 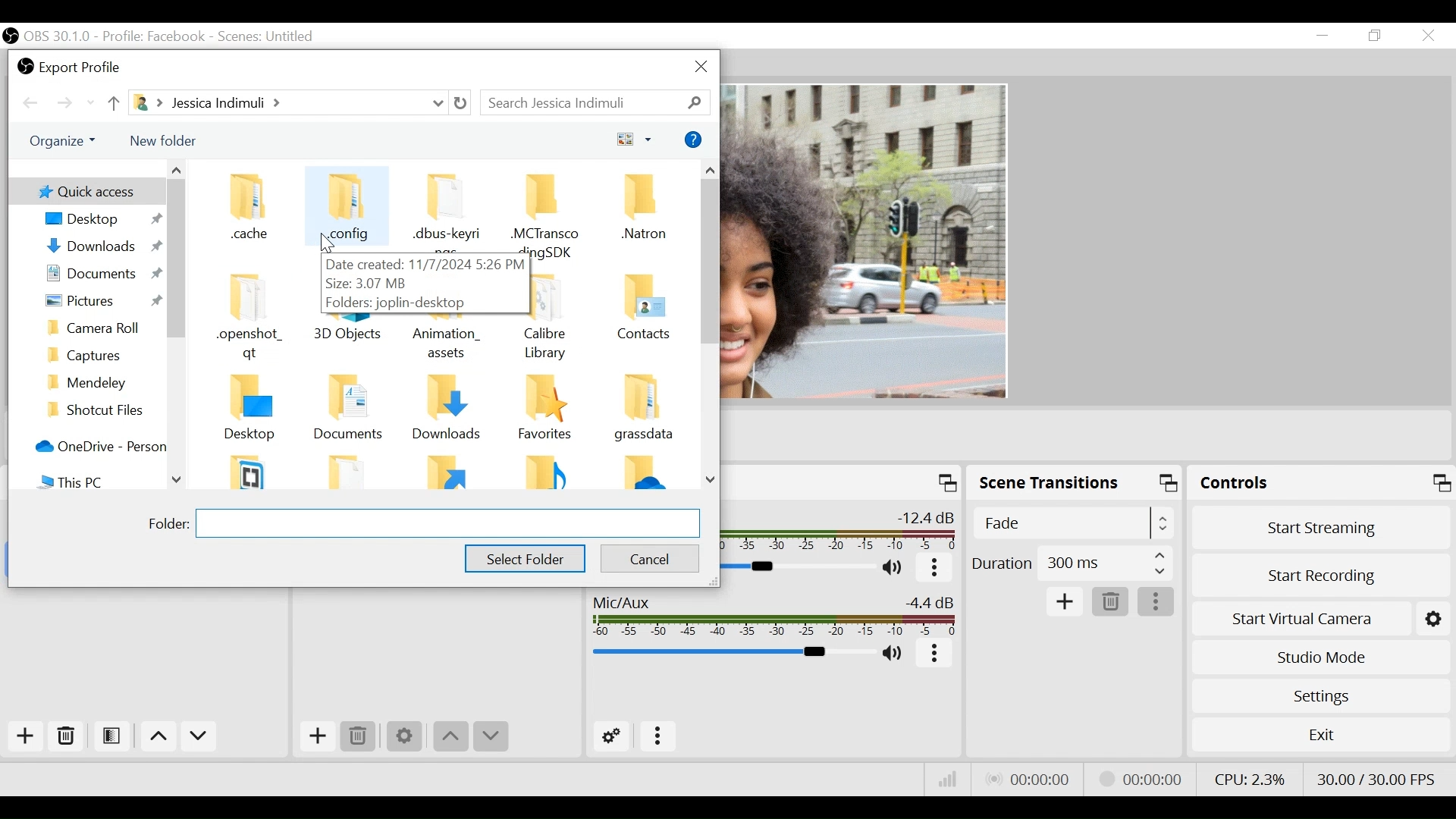 What do you see at coordinates (1319, 733) in the screenshot?
I see `Exit` at bounding box center [1319, 733].